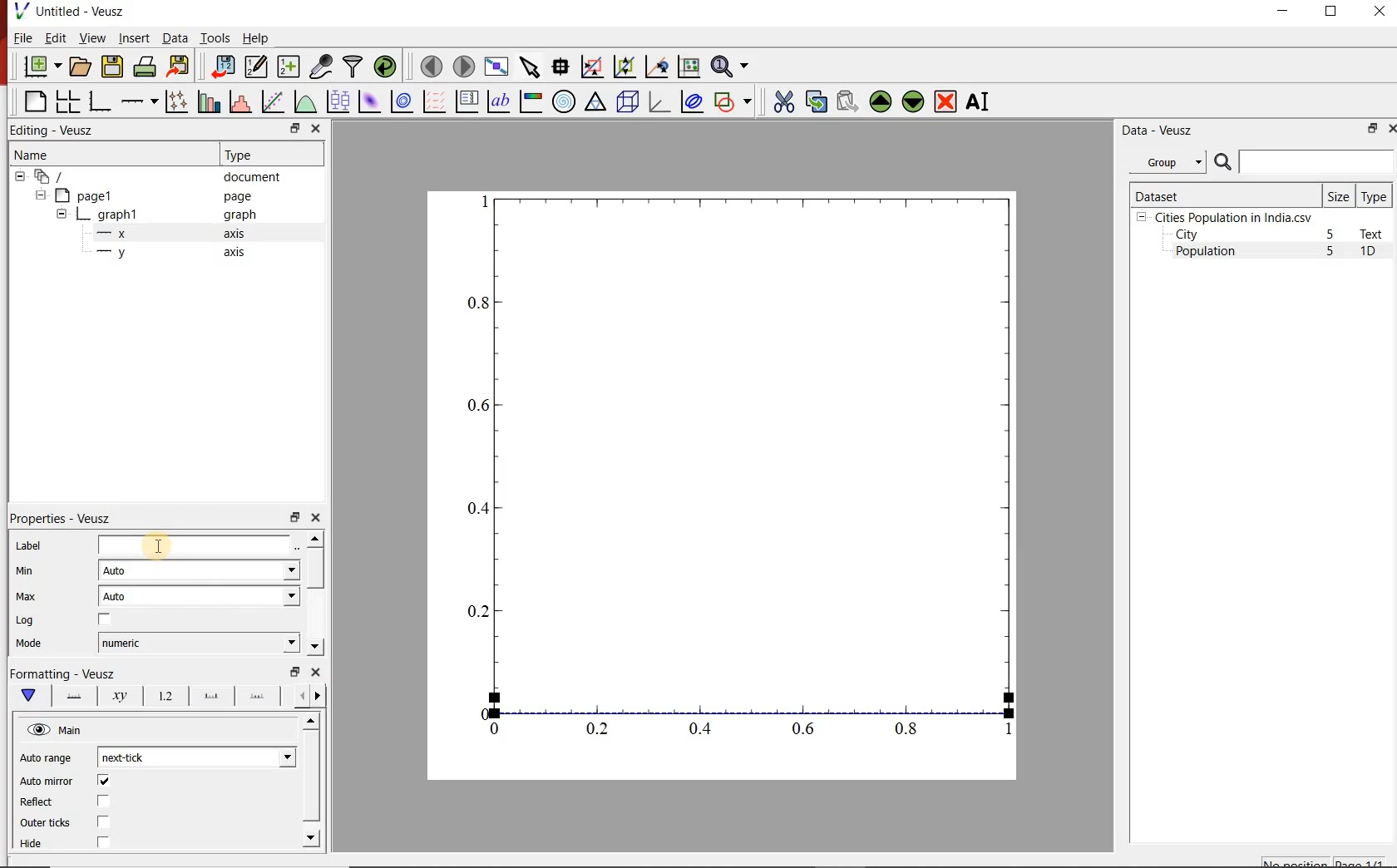 The width and height of the screenshot is (1397, 868). I want to click on check/uncheck, so click(103, 781).